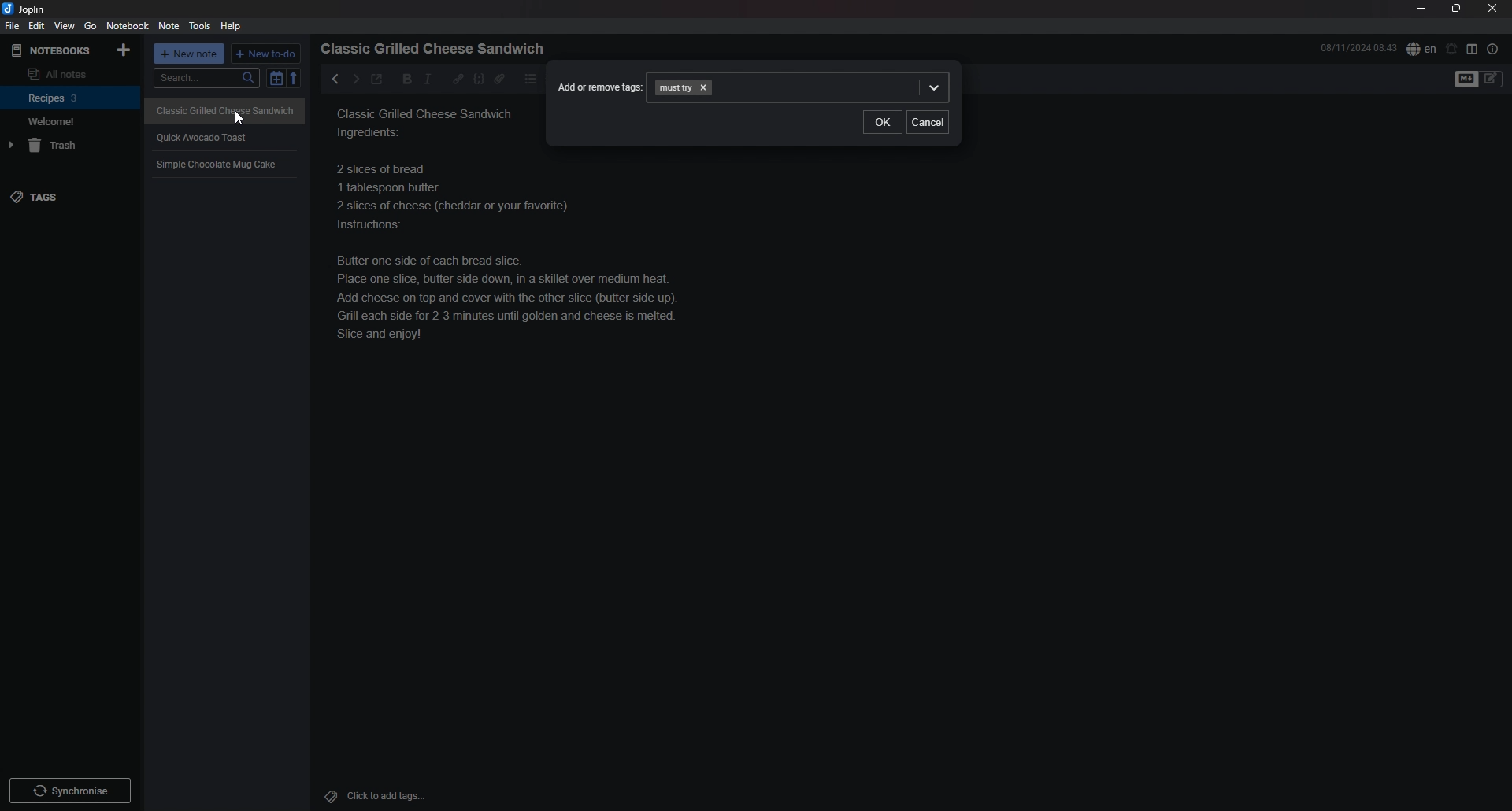 The width and height of the screenshot is (1512, 811). Describe the element at coordinates (478, 79) in the screenshot. I see `code` at that location.